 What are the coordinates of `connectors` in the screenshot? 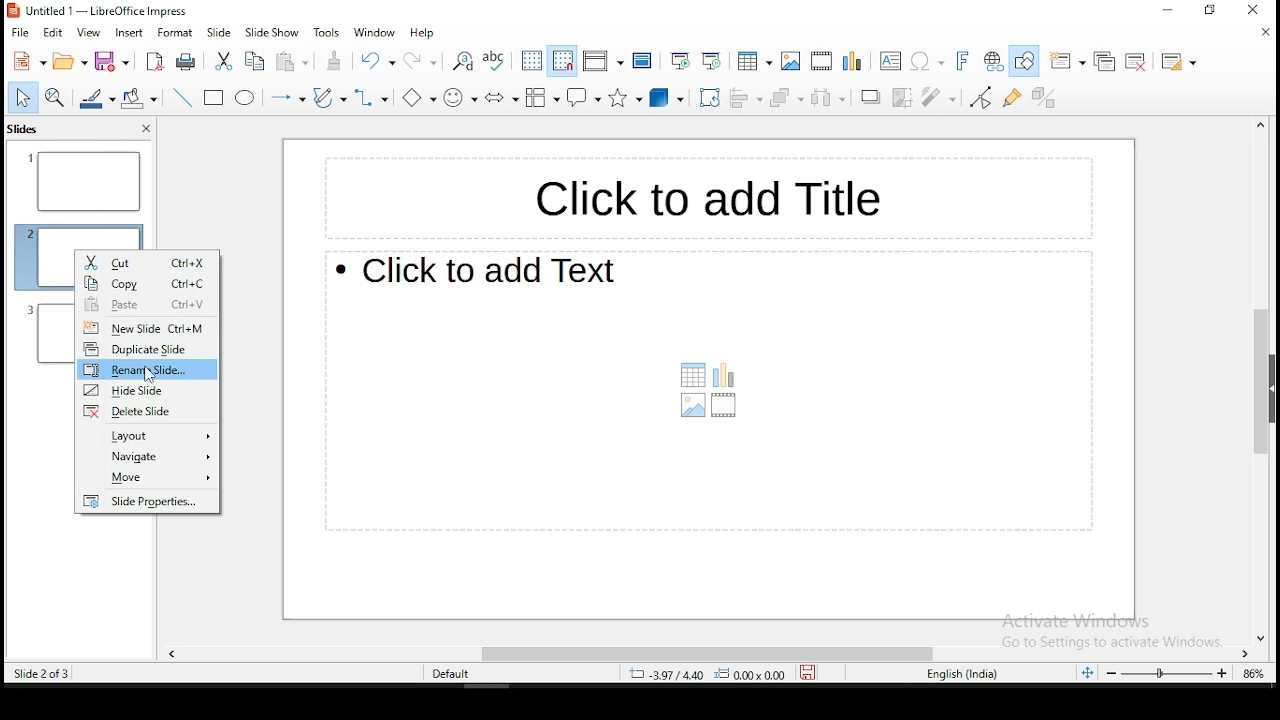 It's located at (369, 98).